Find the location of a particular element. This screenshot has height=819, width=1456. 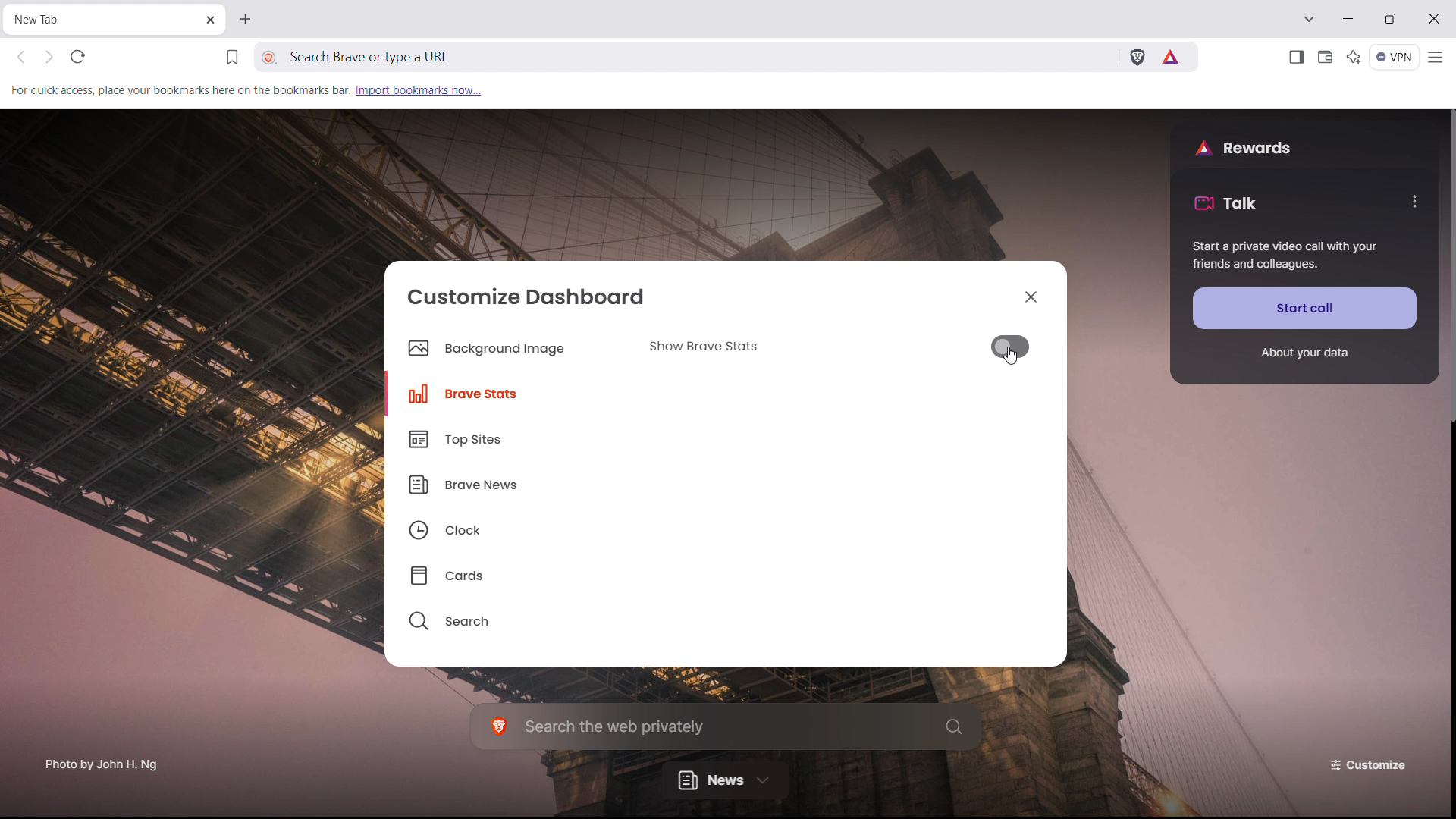

brave news is located at coordinates (507, 482).